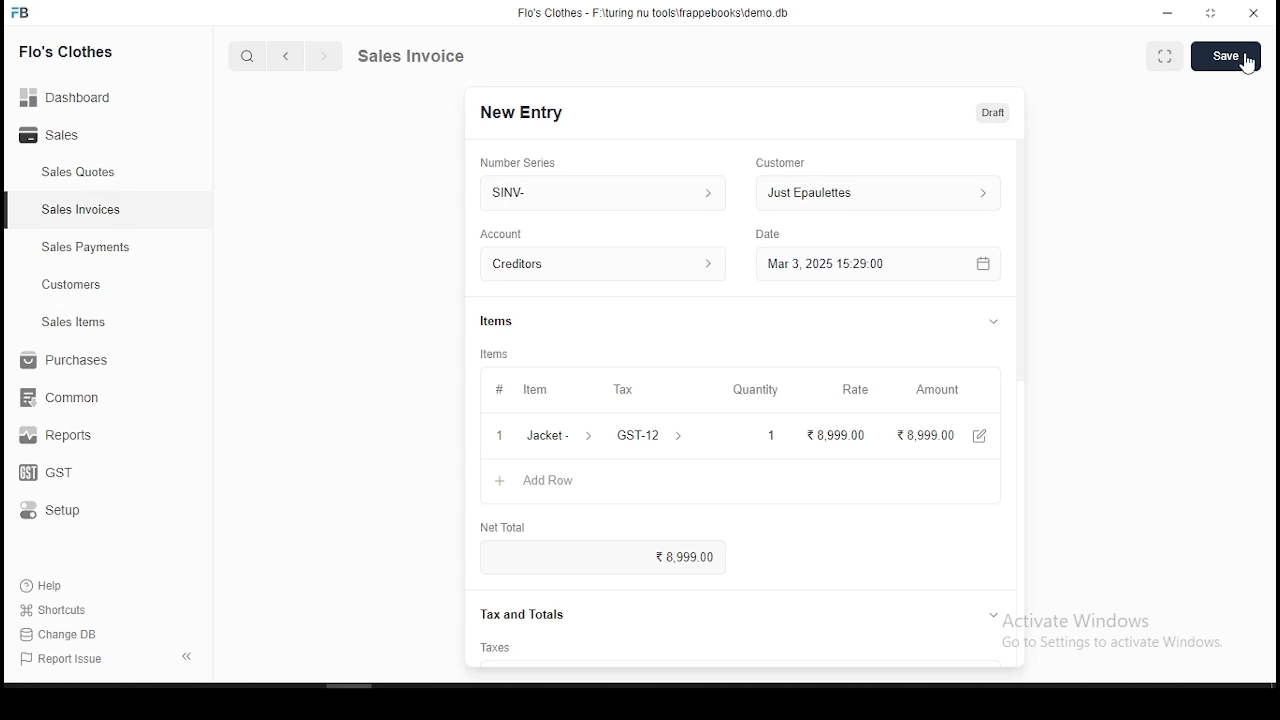 This screenshot has height=720, width=1280. I want to click on SNV, so click(599, 193).